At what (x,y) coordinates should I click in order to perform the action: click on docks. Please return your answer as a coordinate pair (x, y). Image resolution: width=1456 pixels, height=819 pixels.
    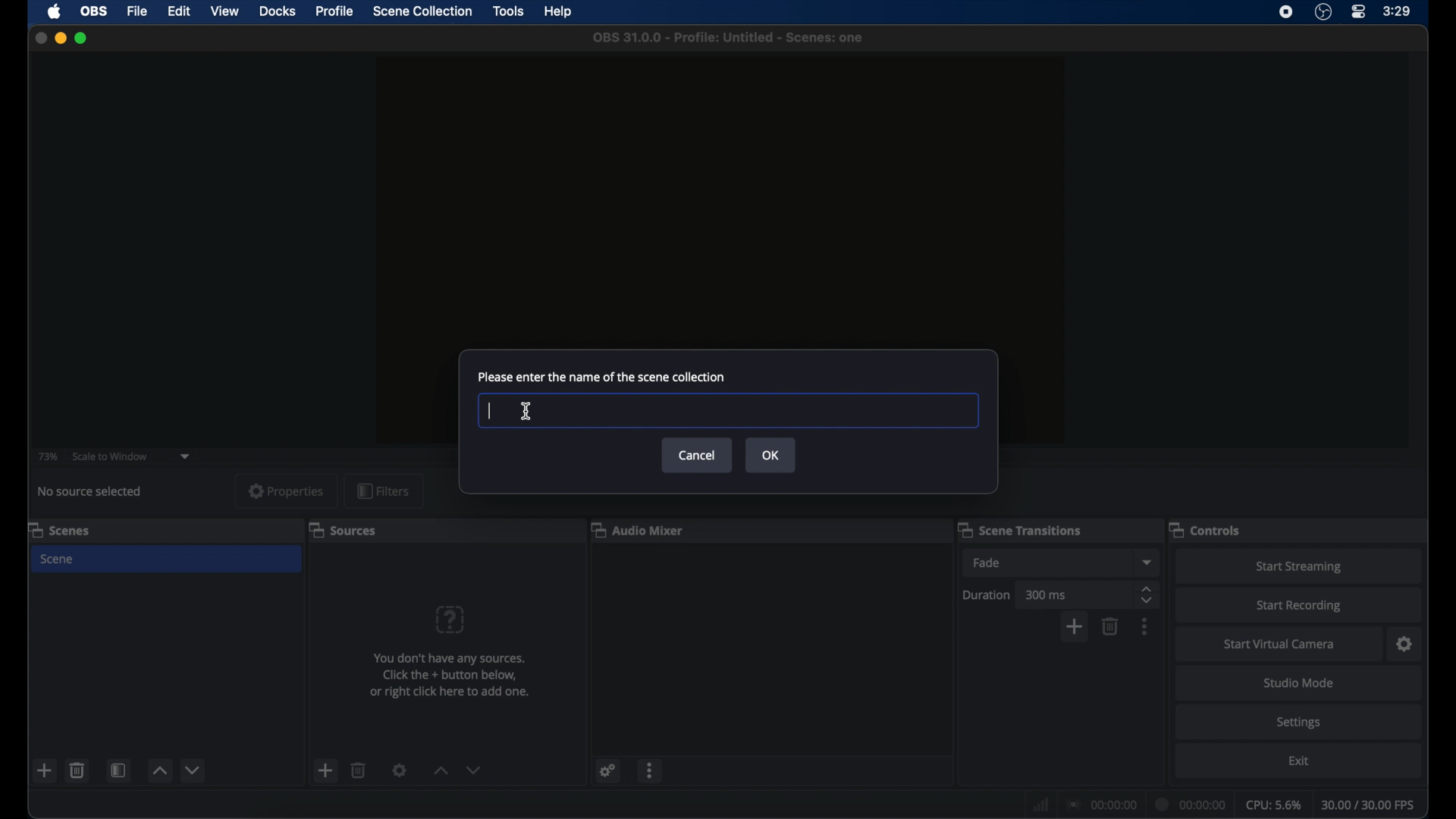
    Looking at the image, I should click on (278, 11).